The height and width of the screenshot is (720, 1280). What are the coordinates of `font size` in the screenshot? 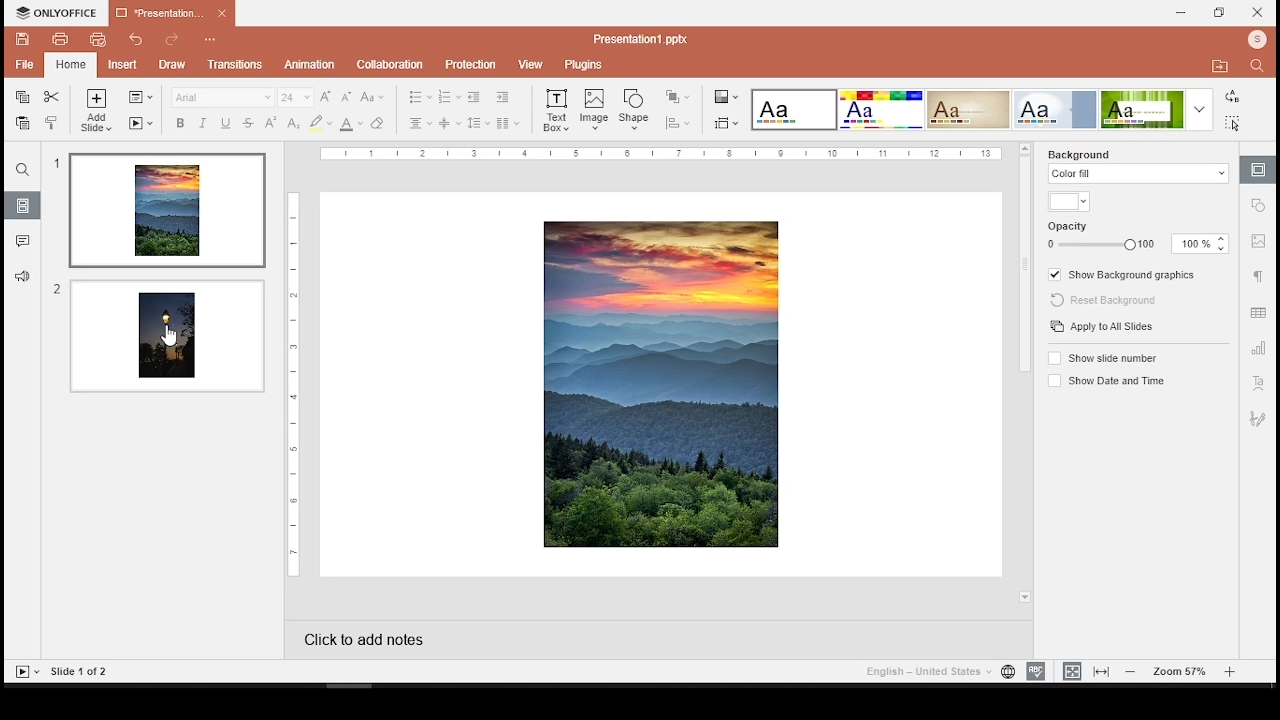 It's located at (293, 97).